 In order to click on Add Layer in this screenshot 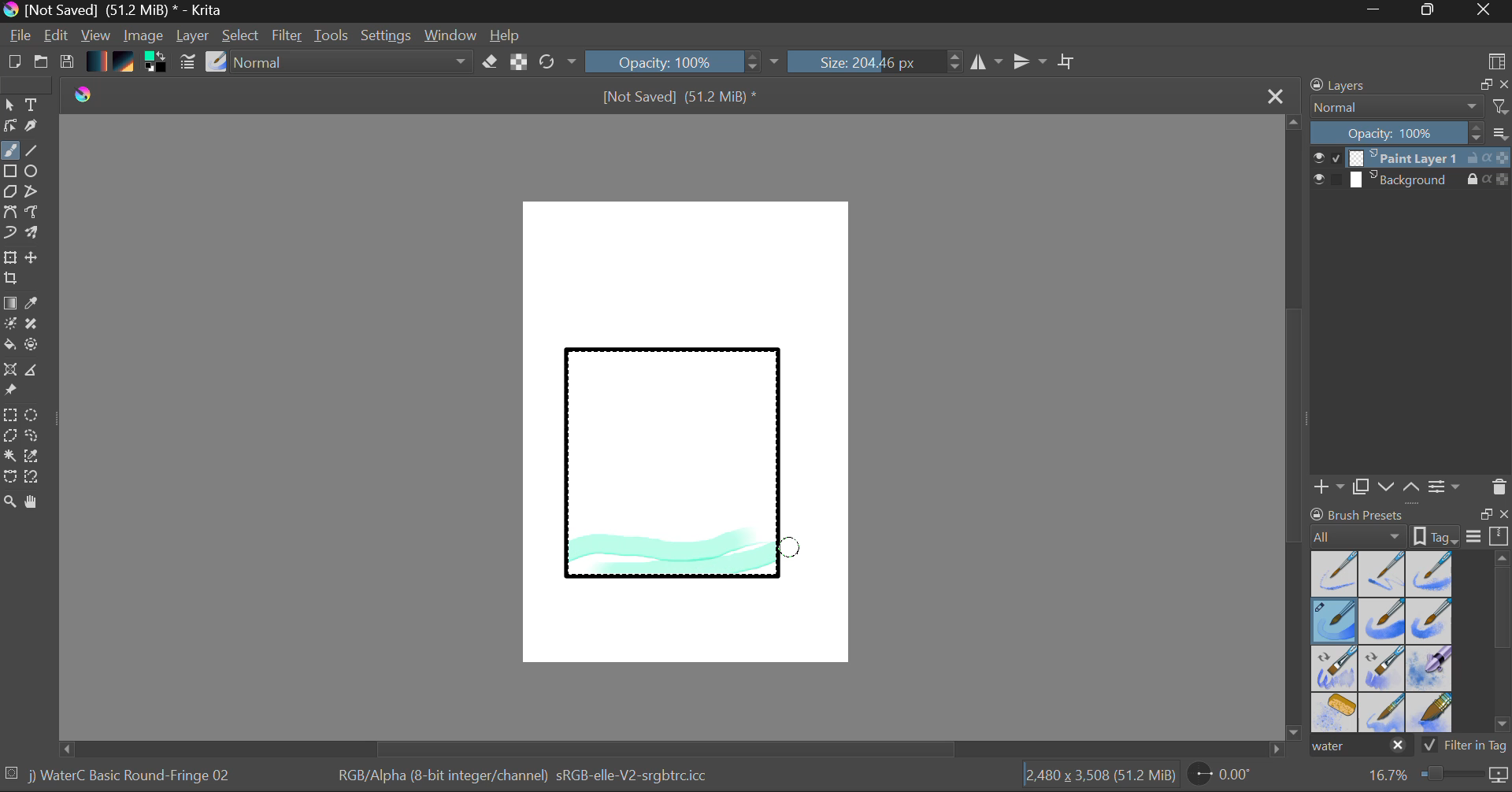, I will do `click(1329, 487)`.